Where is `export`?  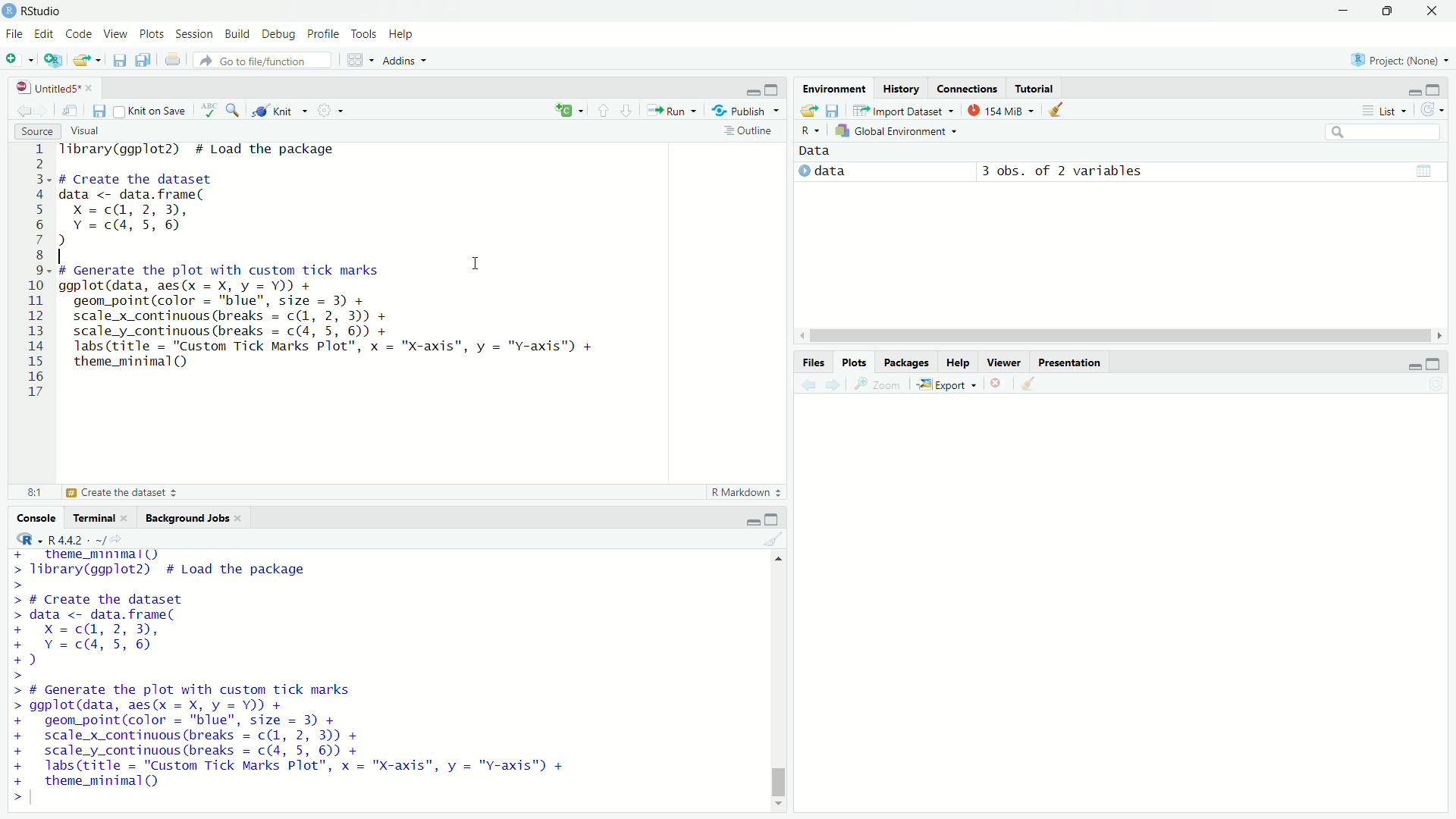 export is located at coordinates (949, 385).